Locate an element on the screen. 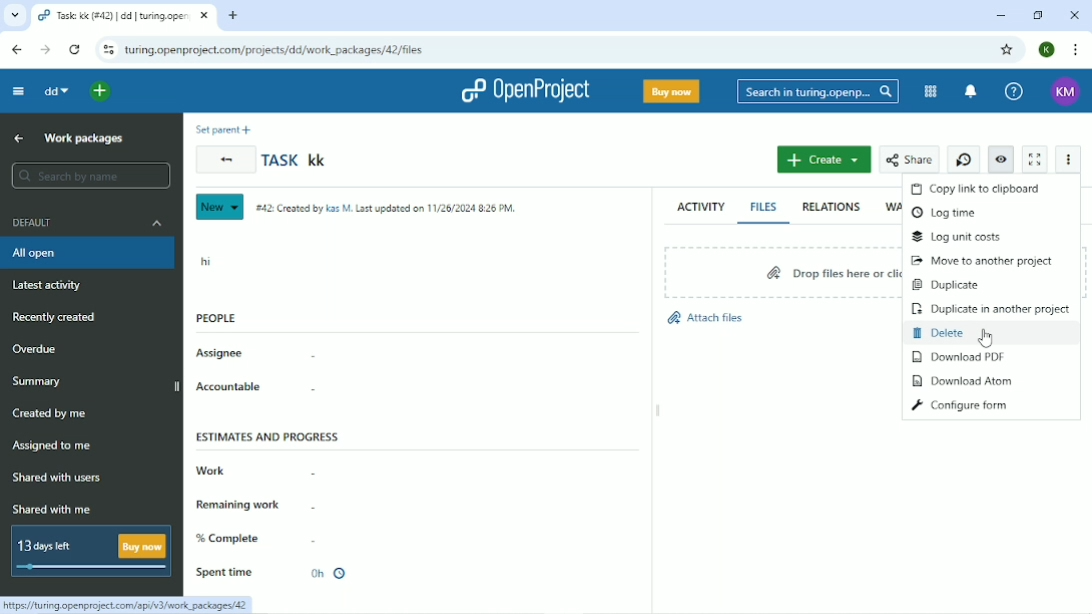  Unwatch work package is located at coordinates (1000, 160).